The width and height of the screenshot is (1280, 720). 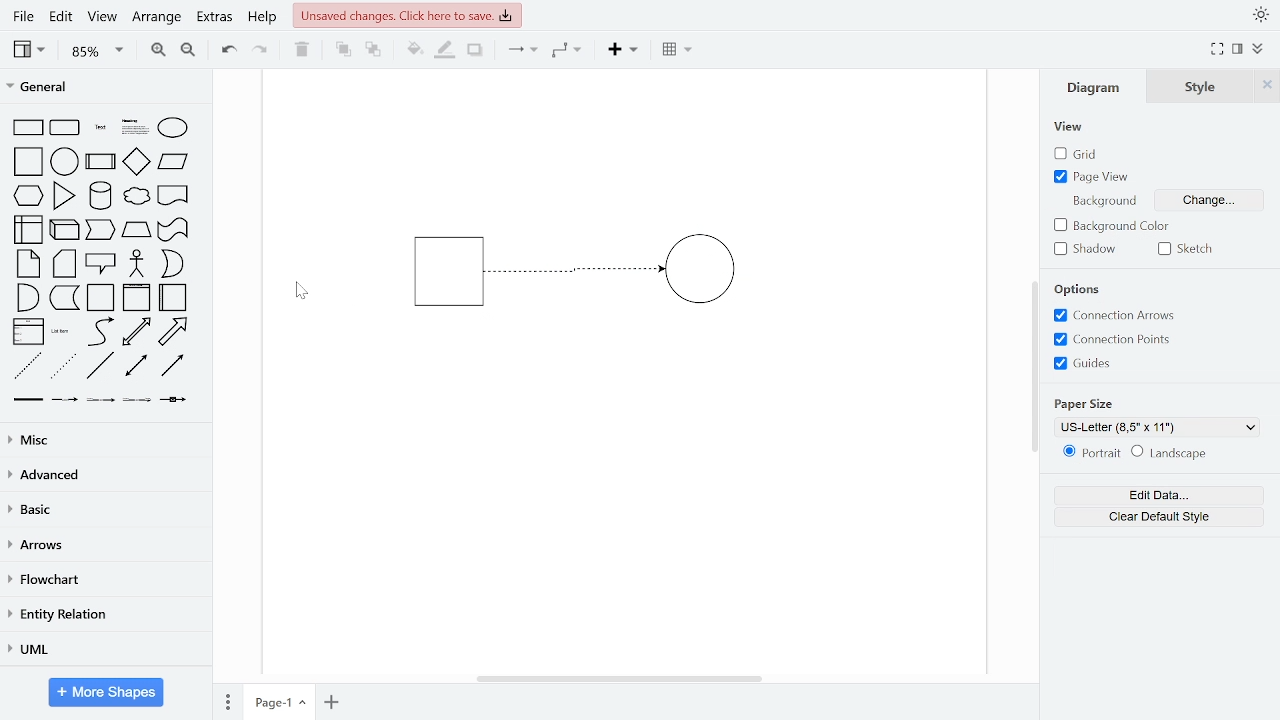 What do you see at coordinates (522, 51) in the screenshot?
I see `connector` at bounding box center [522, 51].